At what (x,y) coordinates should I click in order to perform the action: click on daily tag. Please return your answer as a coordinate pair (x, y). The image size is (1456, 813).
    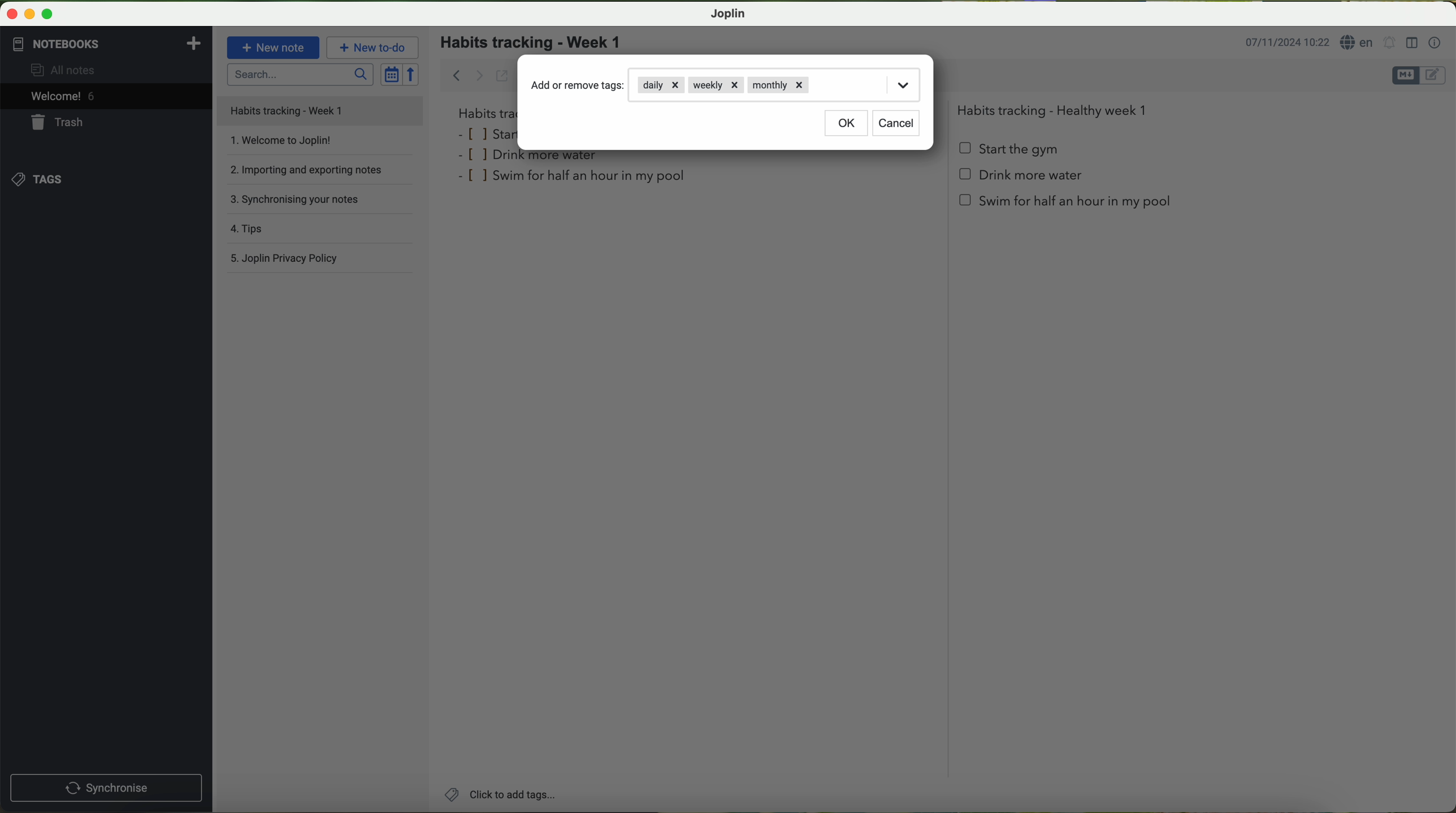
    Looking at the image, I should click on (661, 84).